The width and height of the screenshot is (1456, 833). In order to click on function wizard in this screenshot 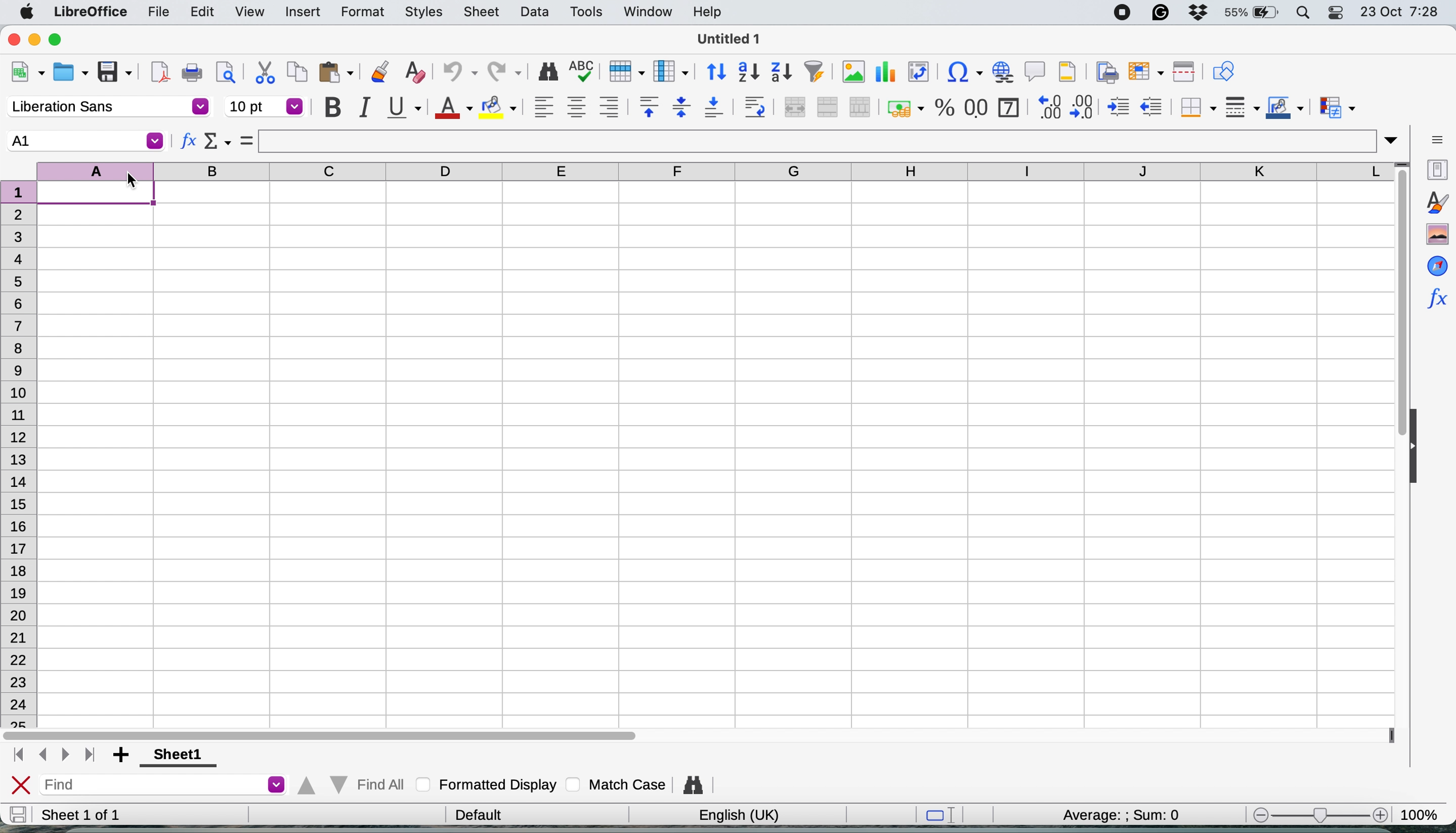, I will do `click(1436, 308)`.